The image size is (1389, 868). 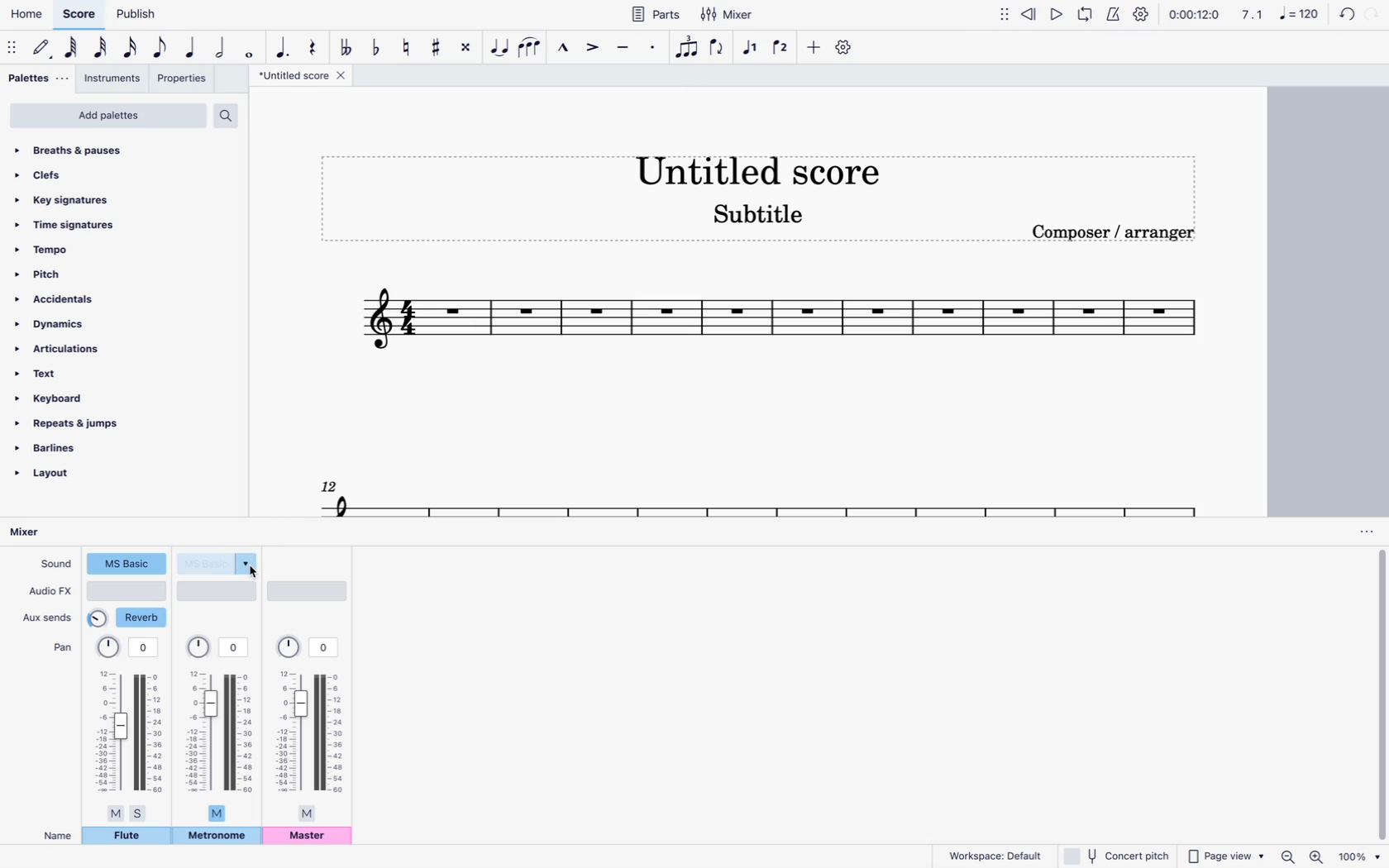 What do you see at coordinates (99, 250) in the screenshot?
I see `tempo` at bounding box center [99, 250].